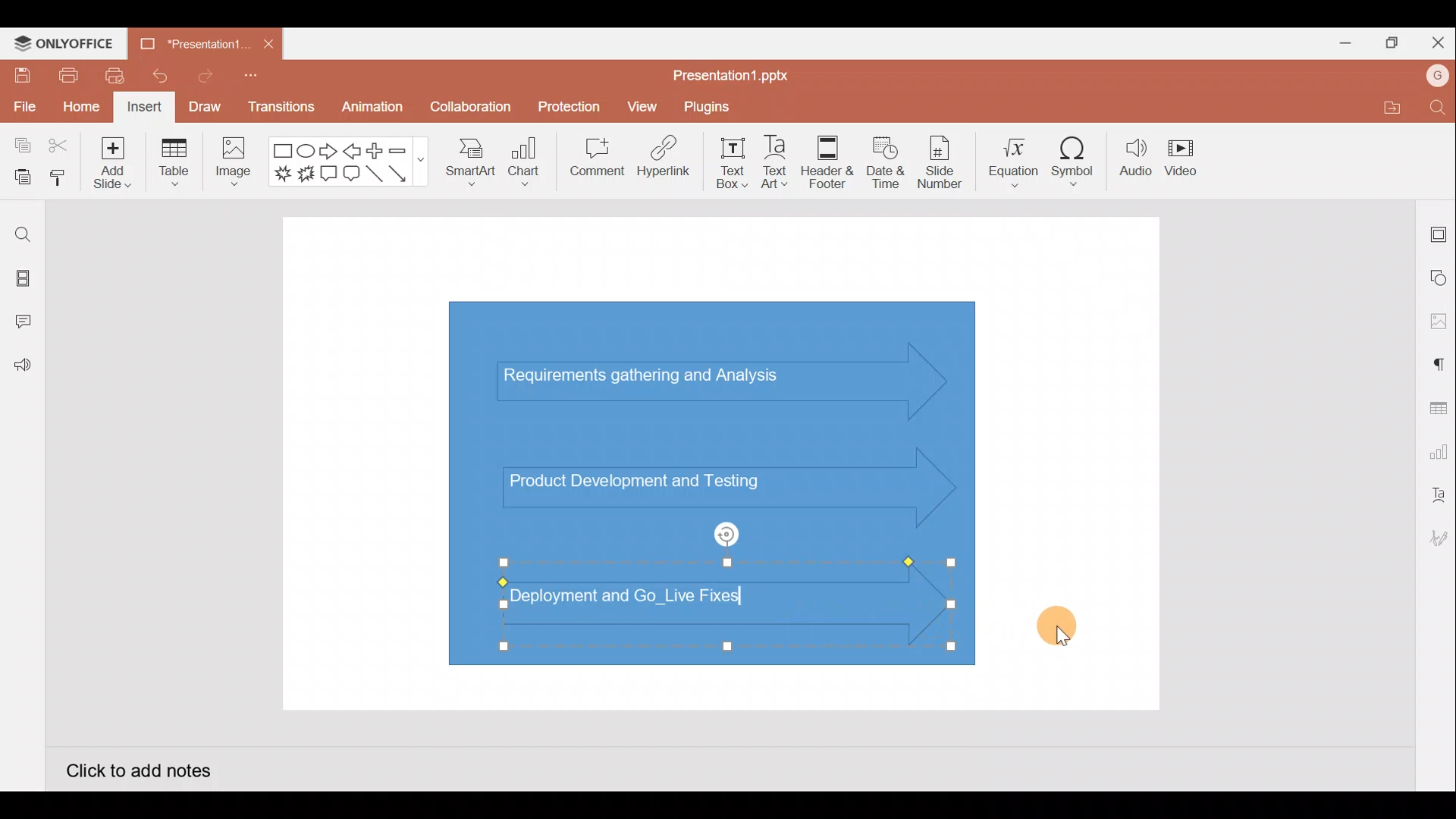  Describe the element at coordinates (828, 158) in the screenshot. I see `Header & footer` at that location.